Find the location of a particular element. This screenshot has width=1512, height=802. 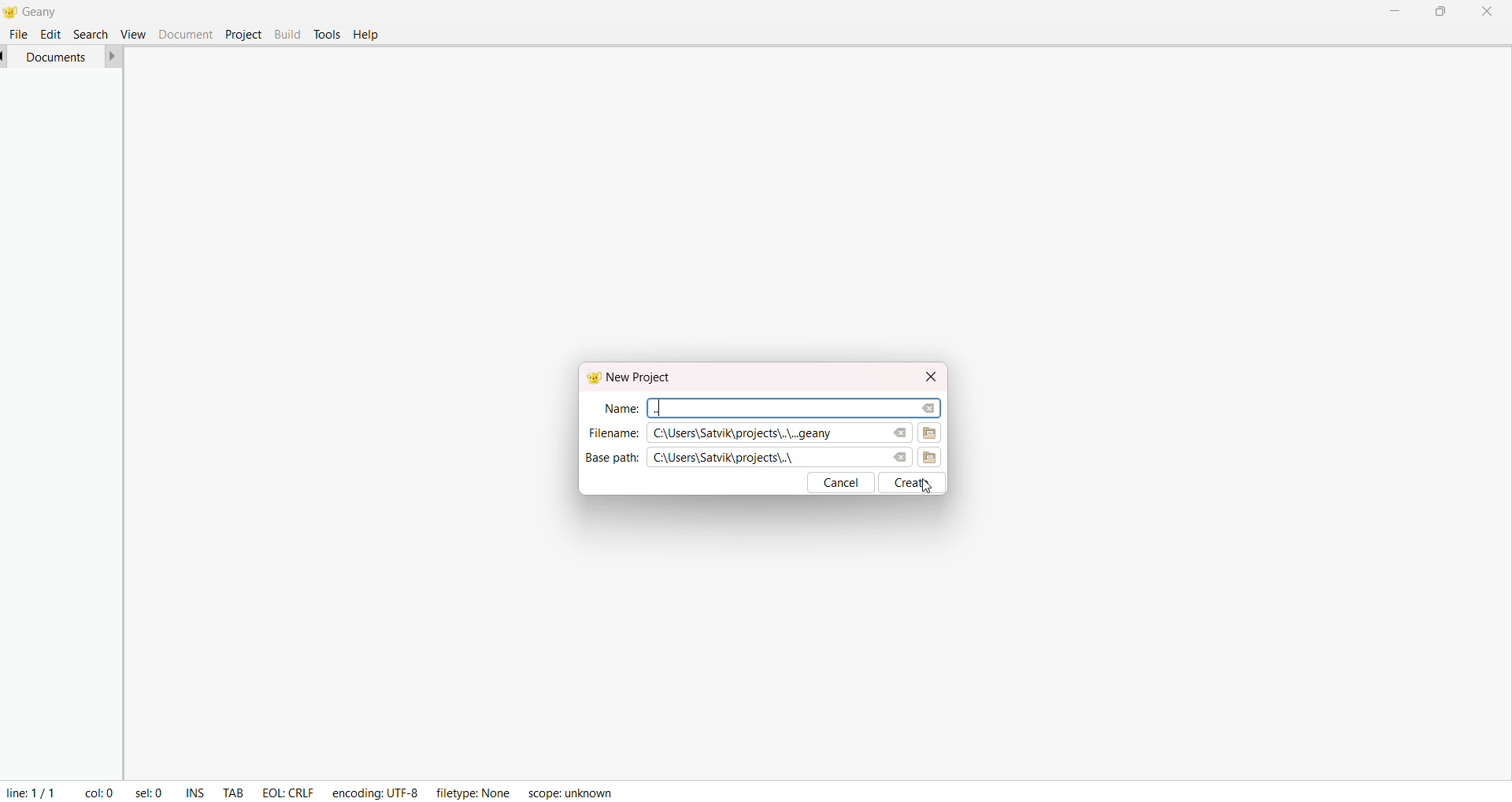

browse is located at coordinates (932, 457).